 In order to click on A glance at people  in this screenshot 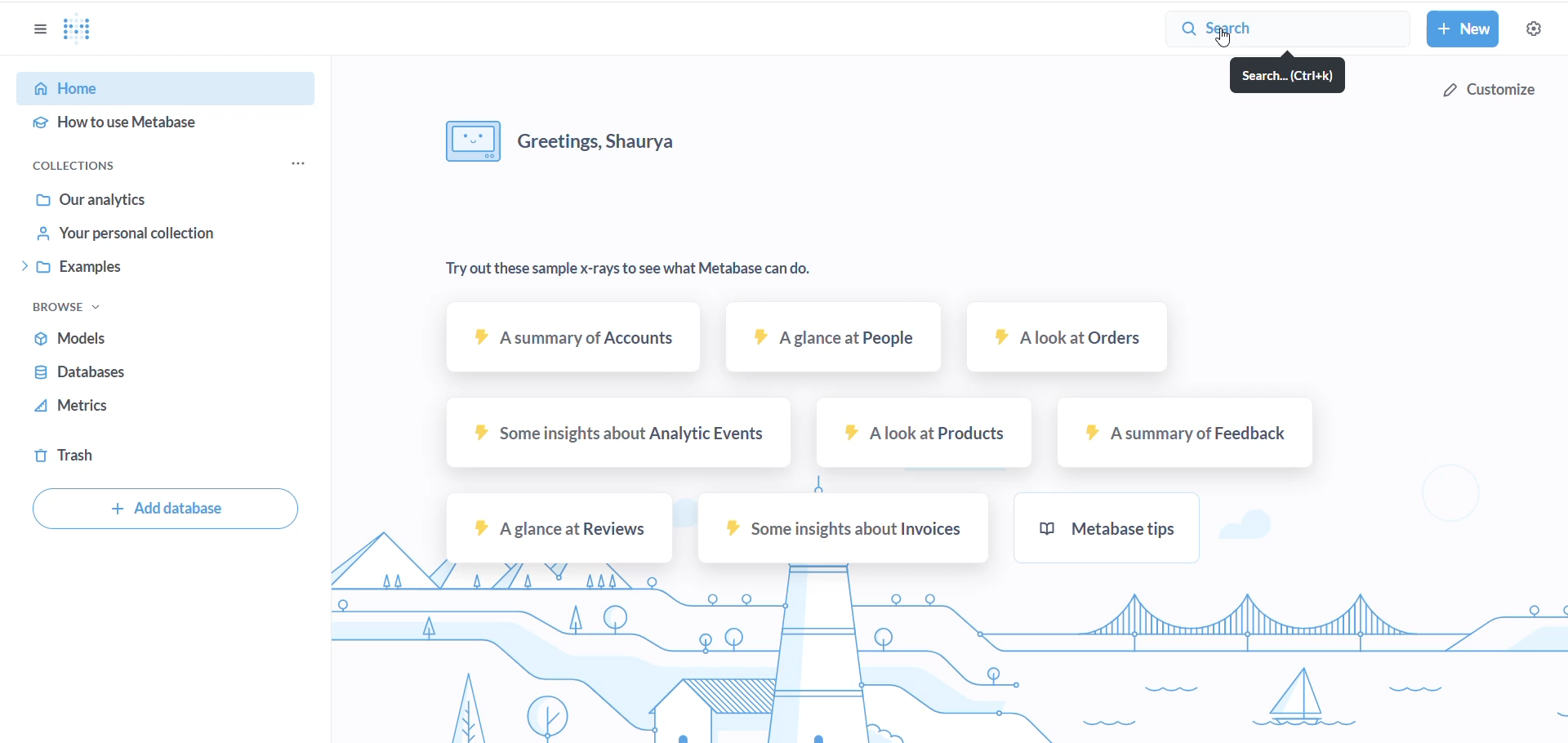, I will do `click(832, 344)`.